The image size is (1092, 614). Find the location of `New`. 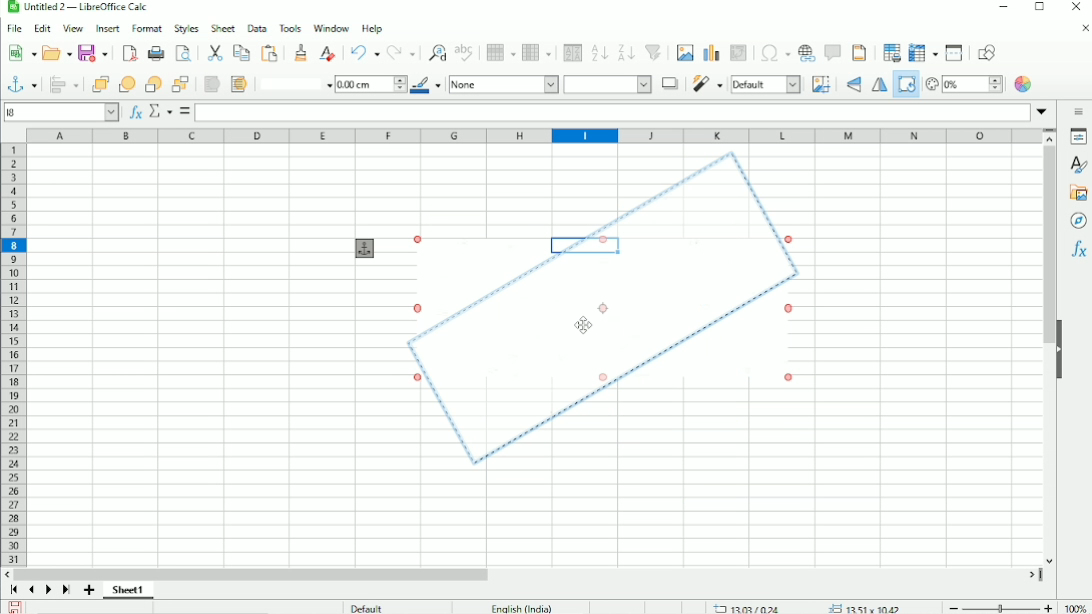

New is located at coordinates (20, 54).